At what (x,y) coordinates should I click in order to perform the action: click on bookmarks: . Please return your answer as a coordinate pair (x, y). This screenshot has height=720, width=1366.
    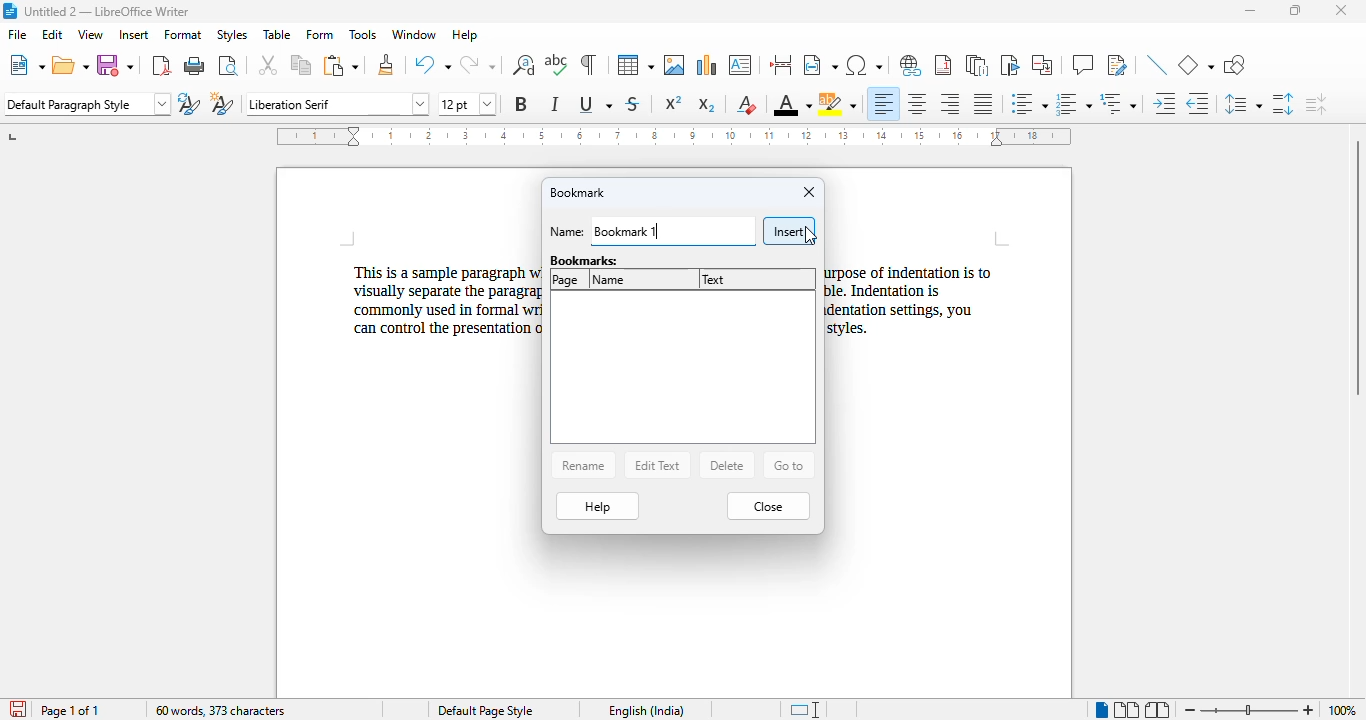
    Looking at the image, I should click on (587, 259).